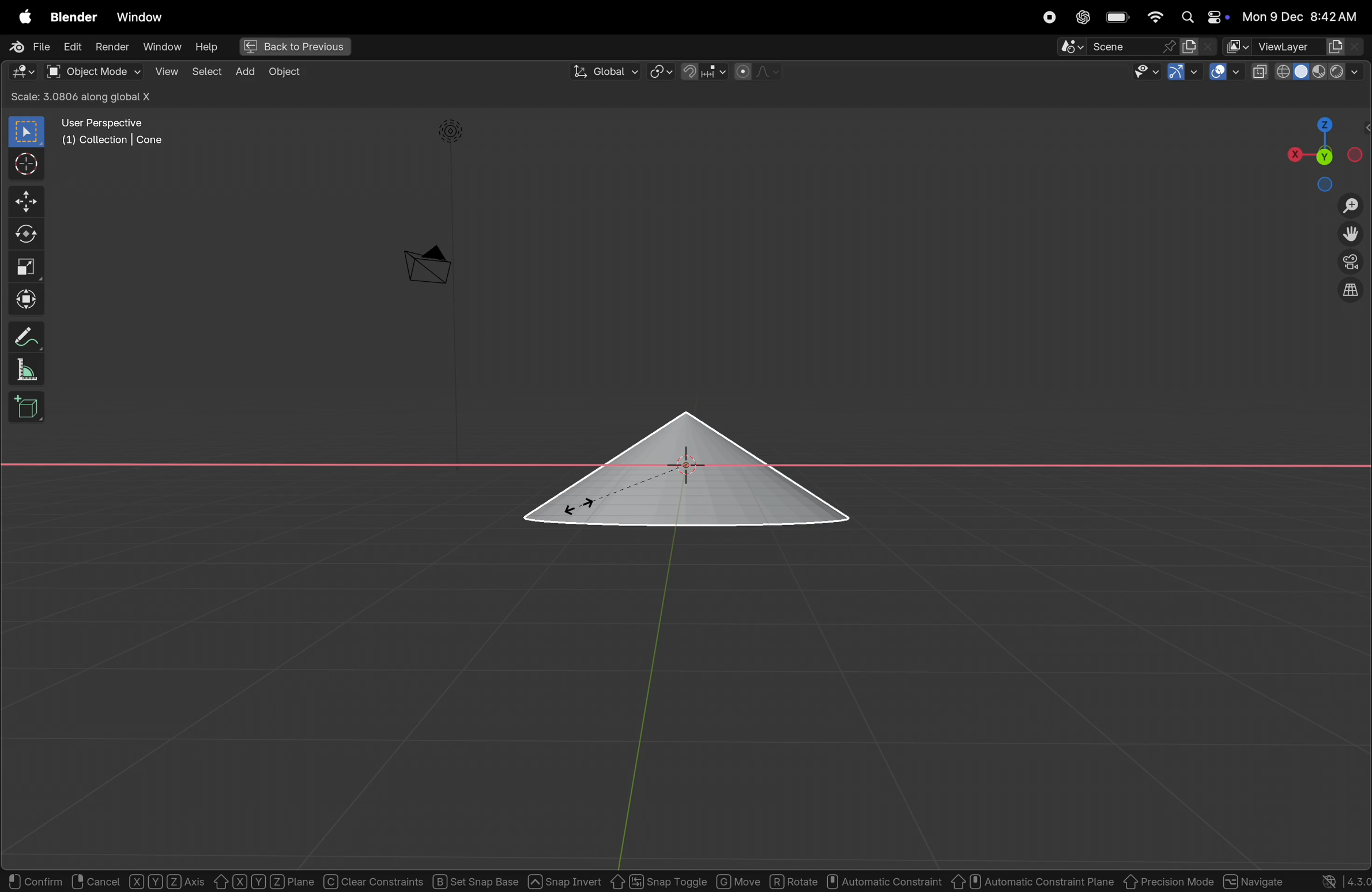 This screenshot has height=892, width=1372. Describe the element at coordinates (661, 72) in the screenshot. I see `transform pviot` at that location.